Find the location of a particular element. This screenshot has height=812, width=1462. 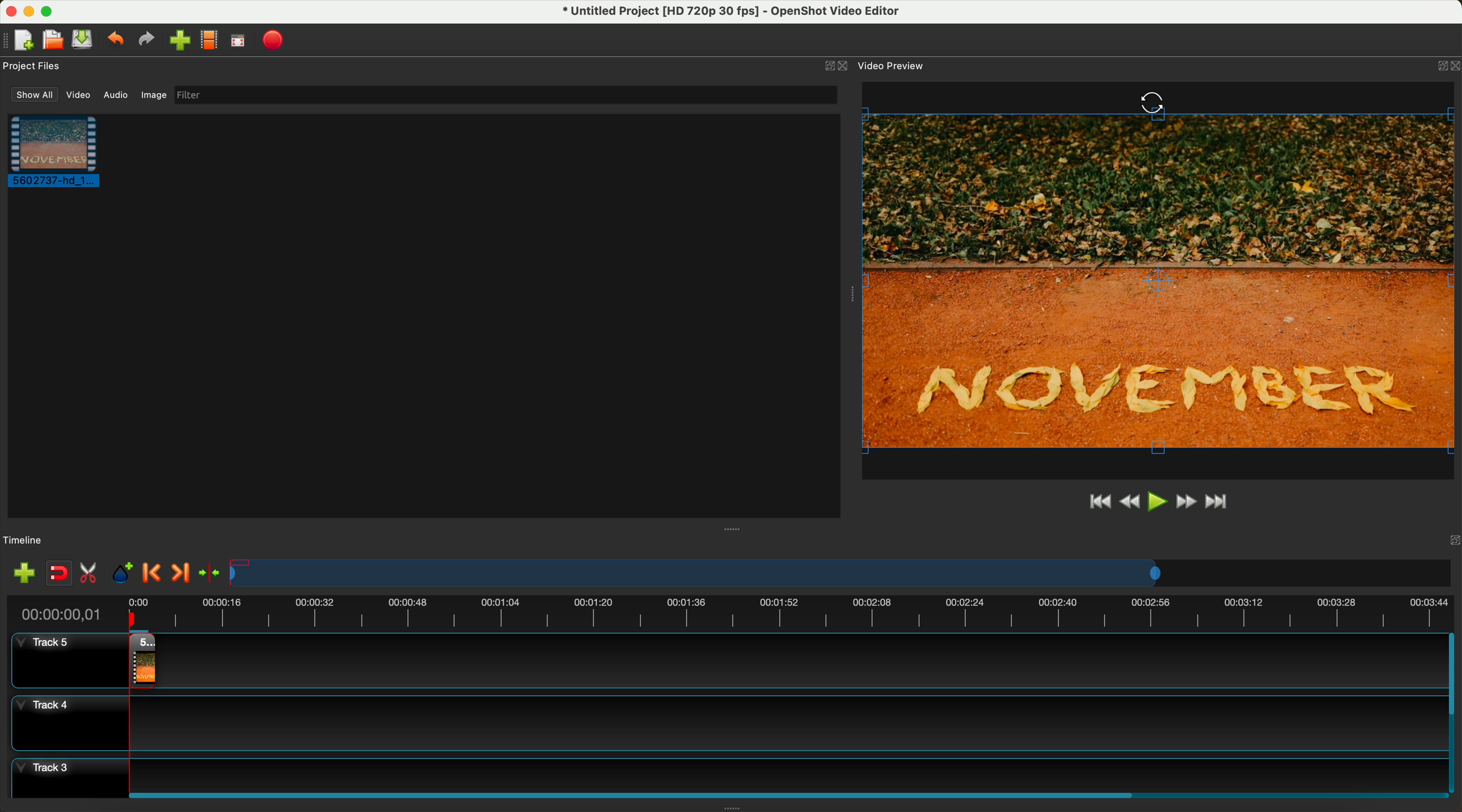

jump to start is located at coordinates (1098, 503).